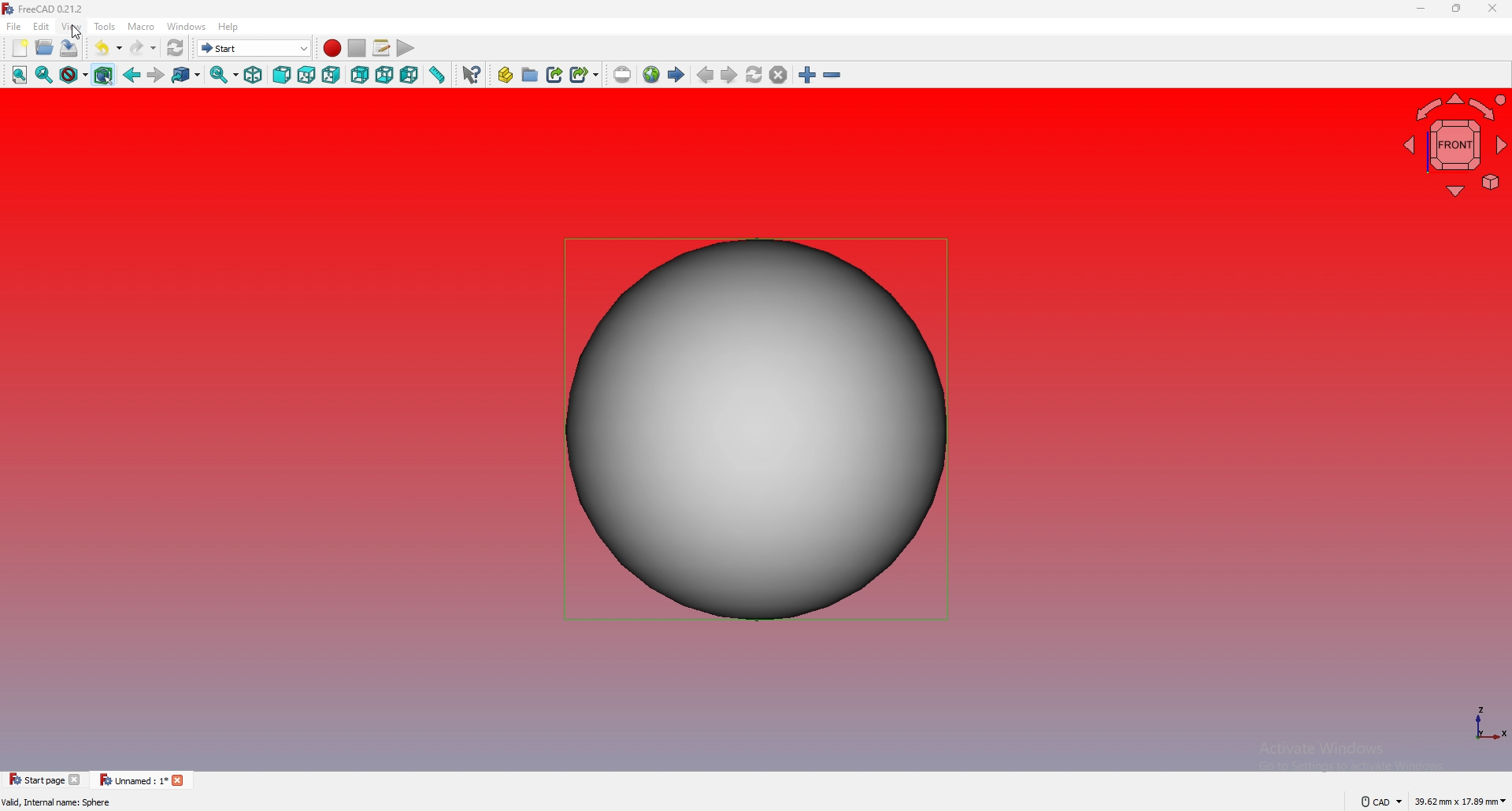 The height and width of the screenshot is (811, 1512). Describe the element at coordinates (157, 75) in the screenshot. I see `forward` at that location.